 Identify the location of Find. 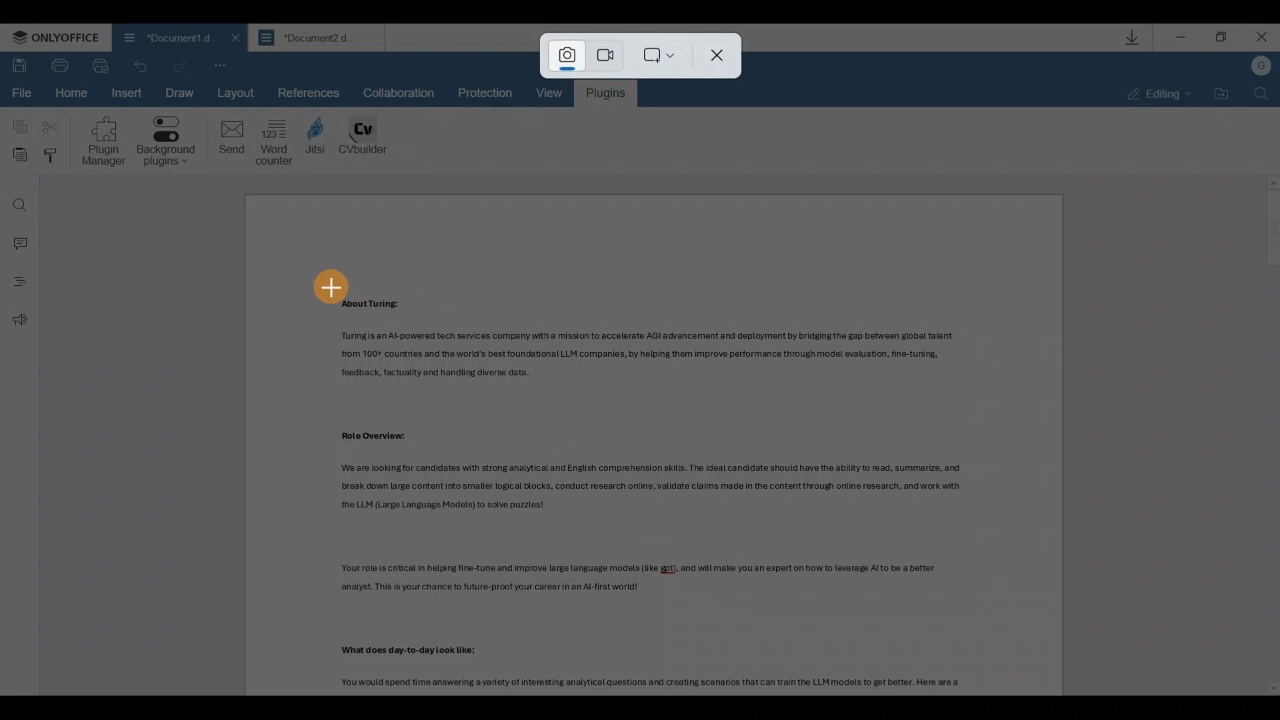
(18, 201).